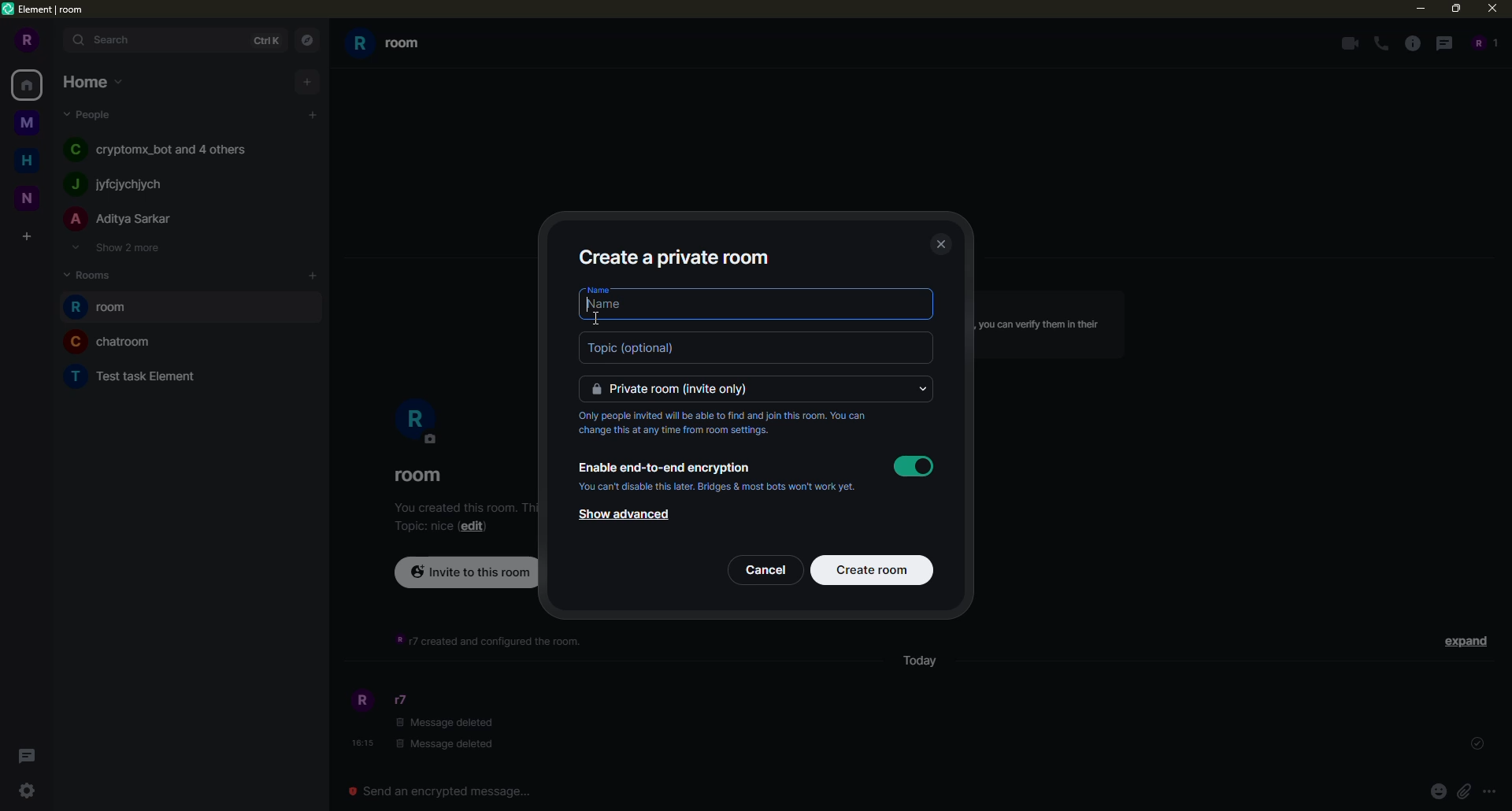  I want to click on day, so click(917, 664).